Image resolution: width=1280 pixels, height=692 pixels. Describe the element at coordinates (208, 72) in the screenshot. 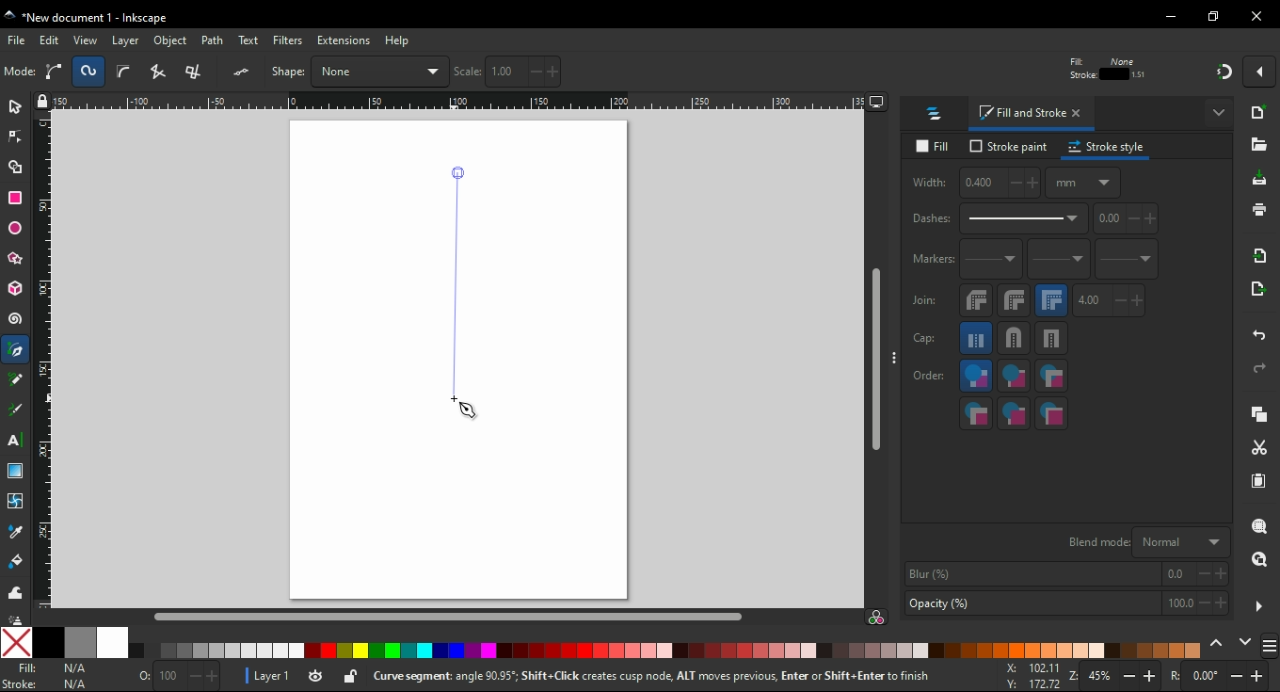

I see `rotate 90` at that location.